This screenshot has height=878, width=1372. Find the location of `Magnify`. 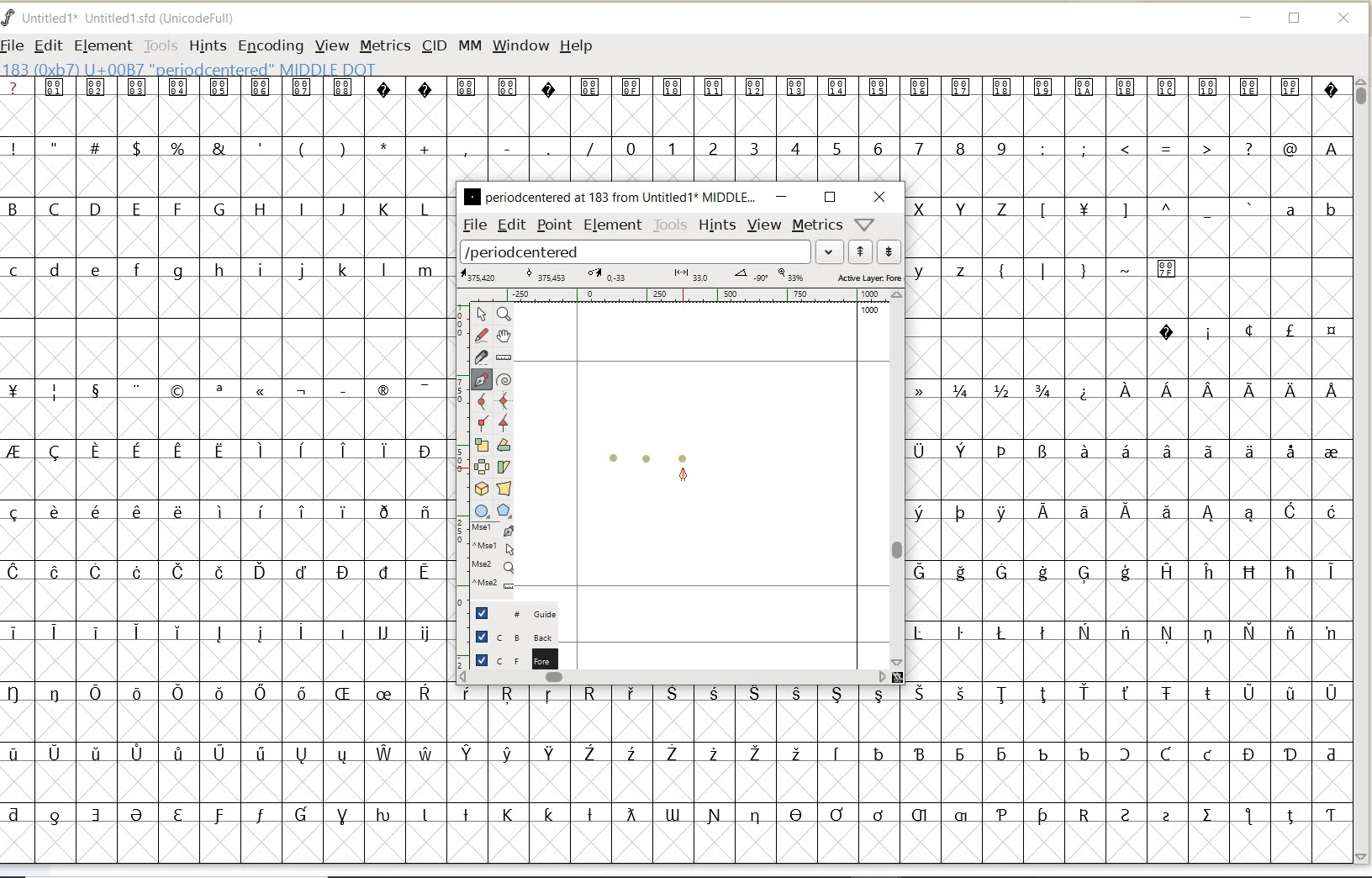

Magnify is located at coordinates (504, 315).